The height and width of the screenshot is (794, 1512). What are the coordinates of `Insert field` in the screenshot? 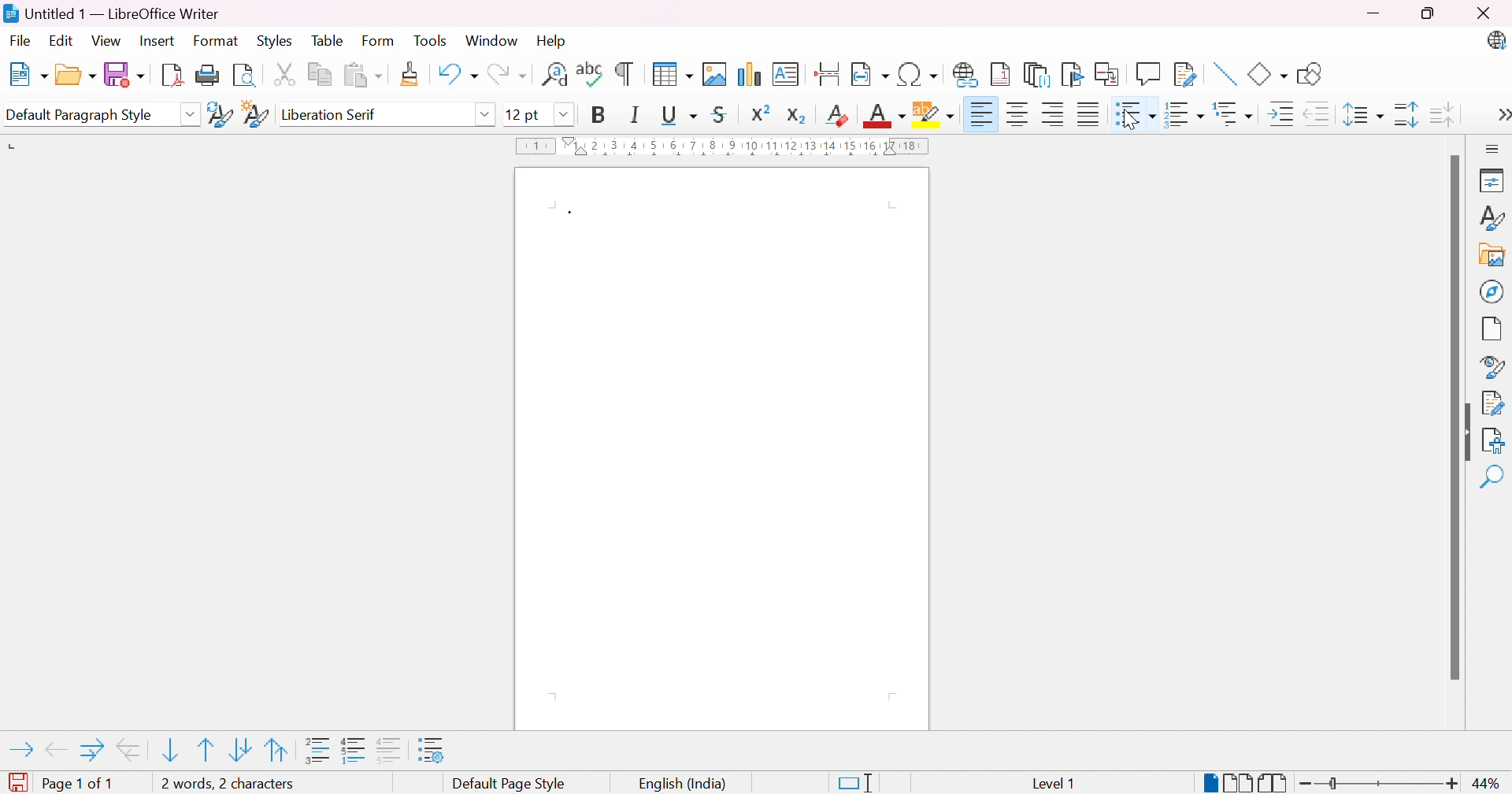 It's located at (870, 76).